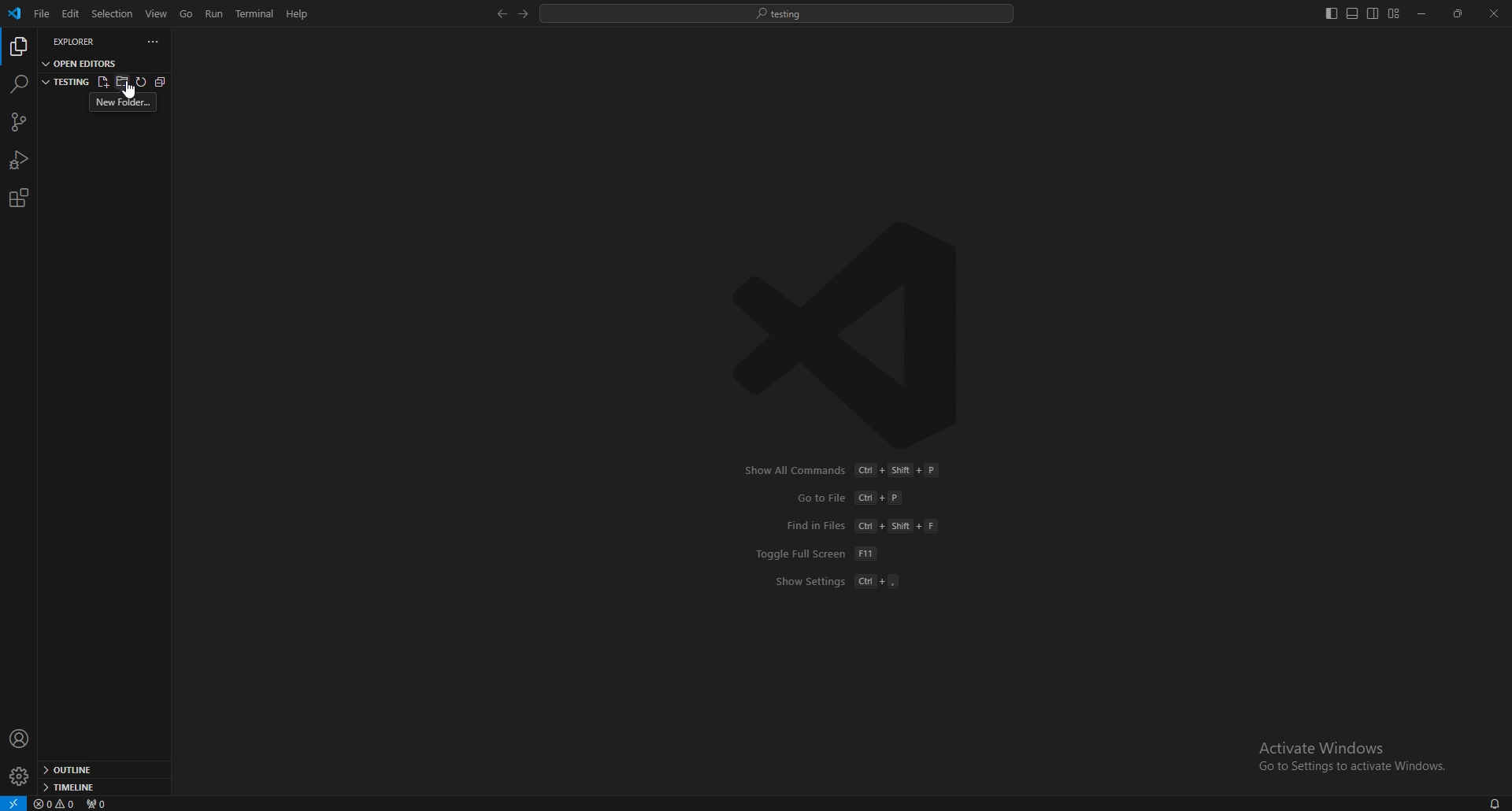 The height and width of the screenshot is (811, 1512). Describe the element at coordinates (140, 82) in the screenshot. I see `refresh` at that location.